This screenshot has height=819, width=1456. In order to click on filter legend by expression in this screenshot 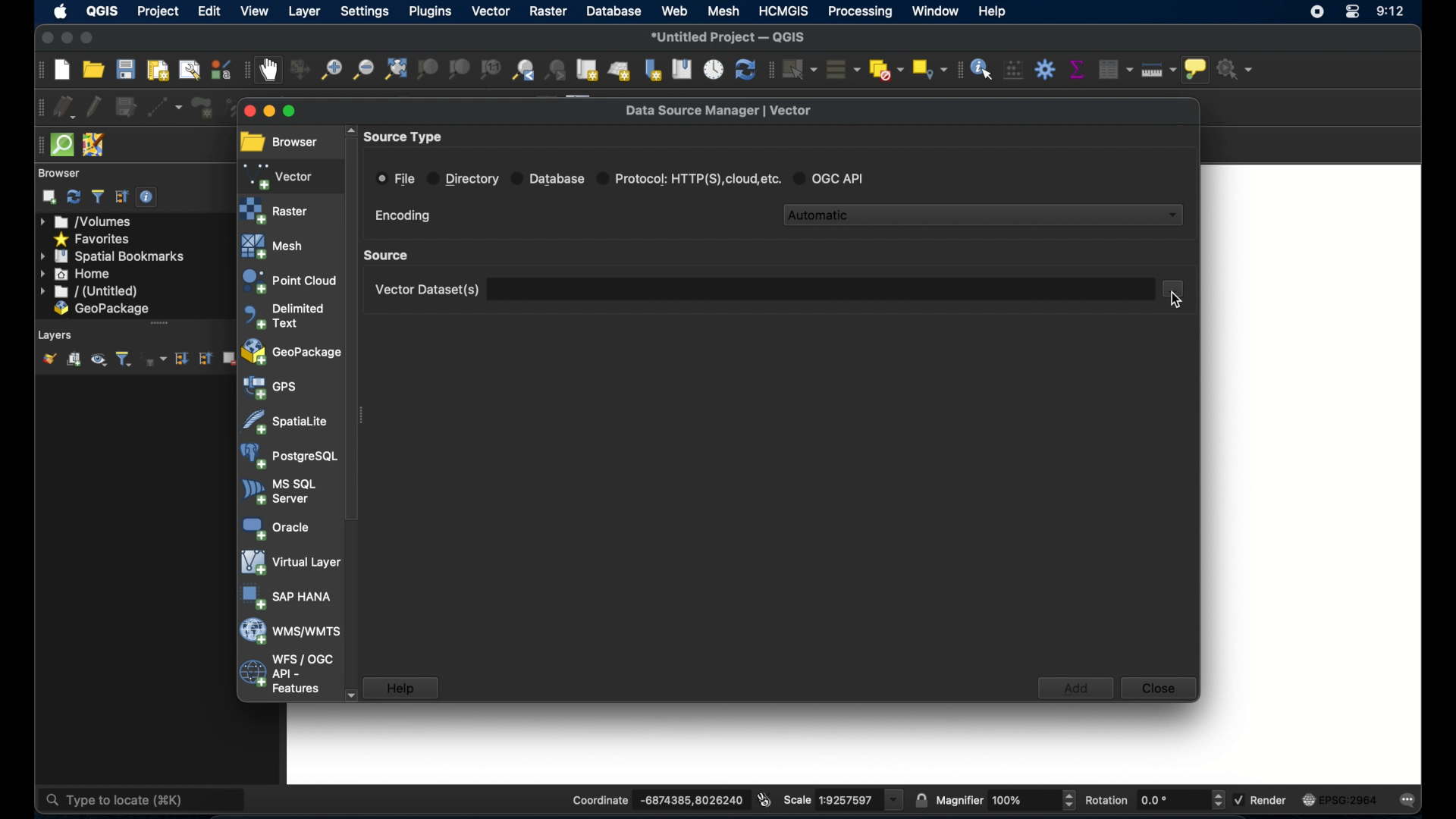, I will do `click(158, 361)`.